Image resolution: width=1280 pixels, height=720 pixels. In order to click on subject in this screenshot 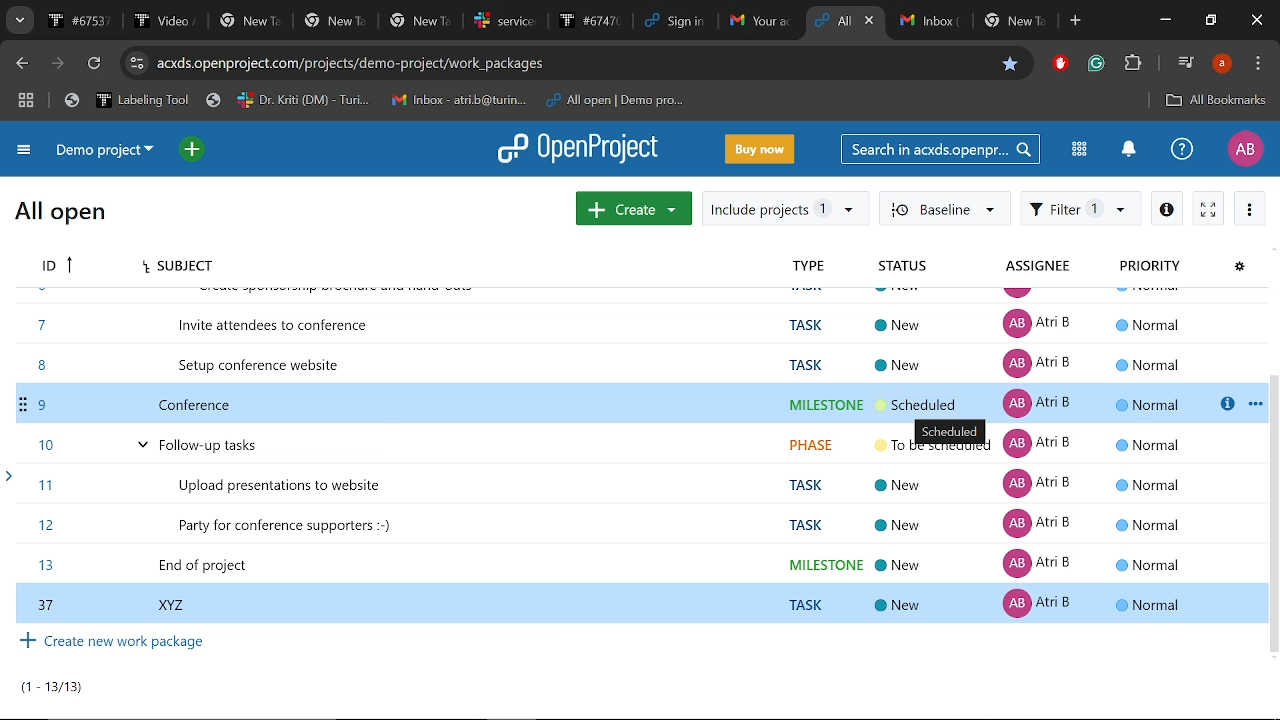, I will do `click(183, 263)`.